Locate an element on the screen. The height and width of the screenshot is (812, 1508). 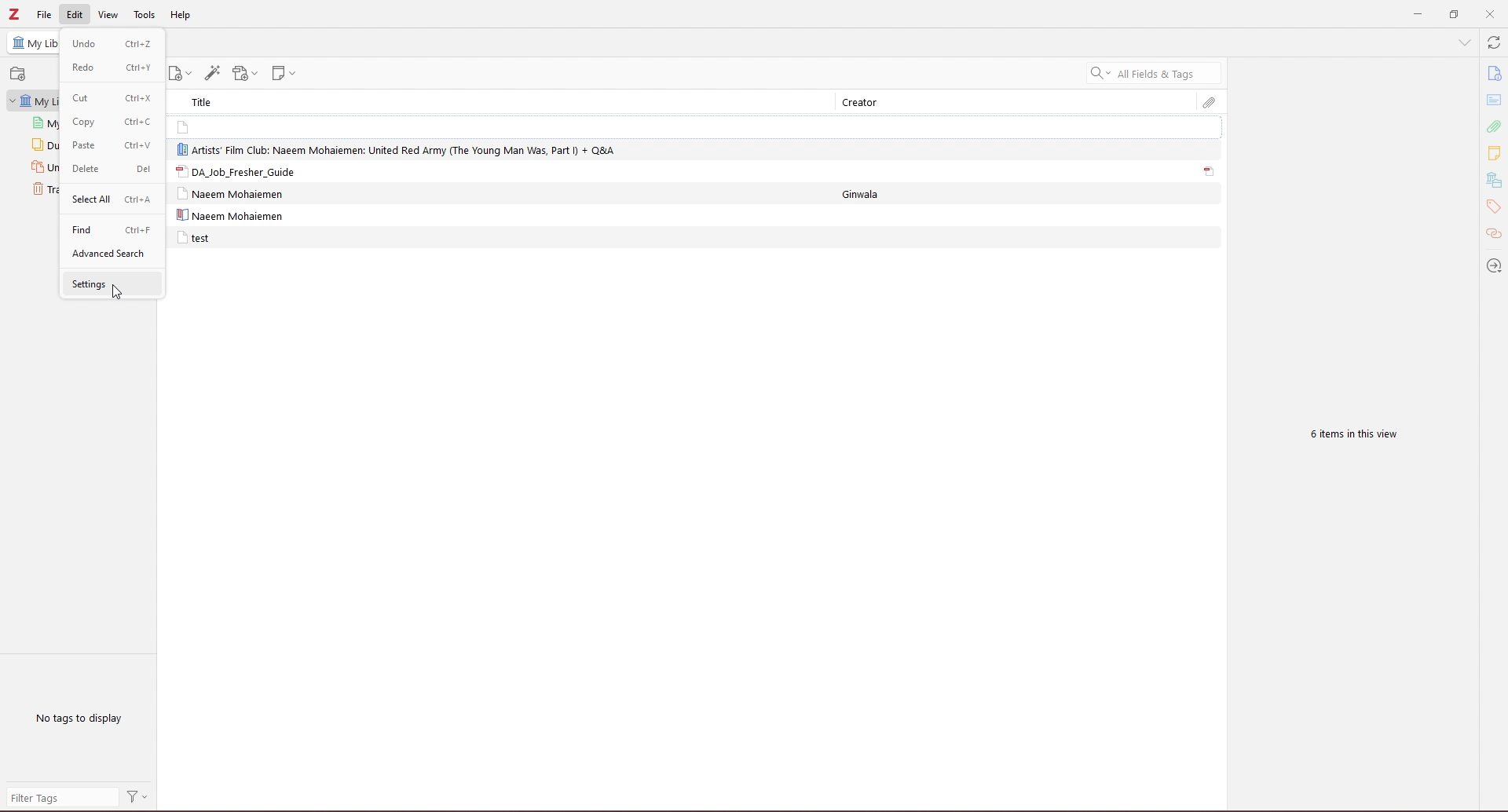
sync to zotero.org is located at coordinates (1494, 43).